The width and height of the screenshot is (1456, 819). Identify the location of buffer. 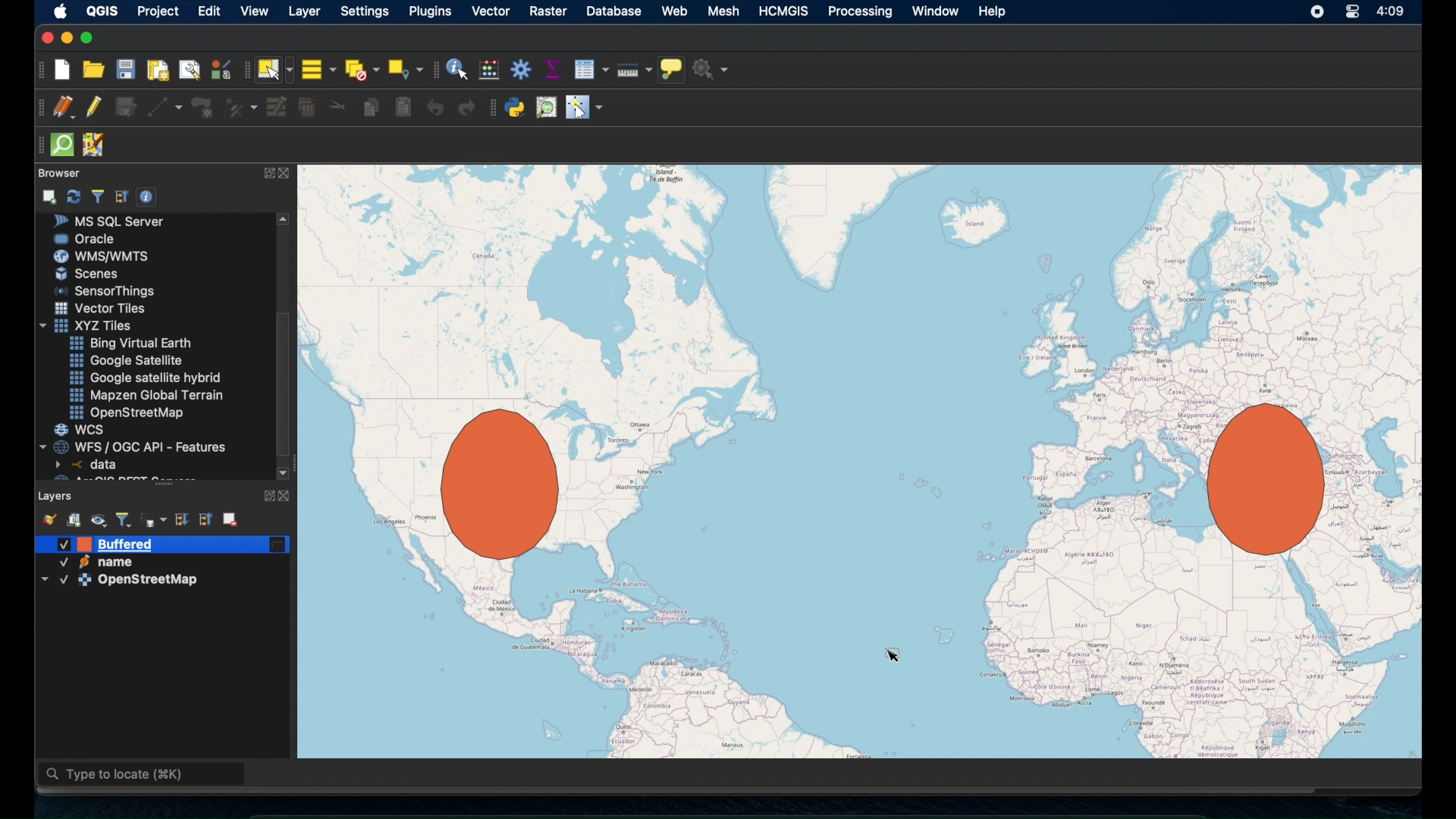
(1257, 482).